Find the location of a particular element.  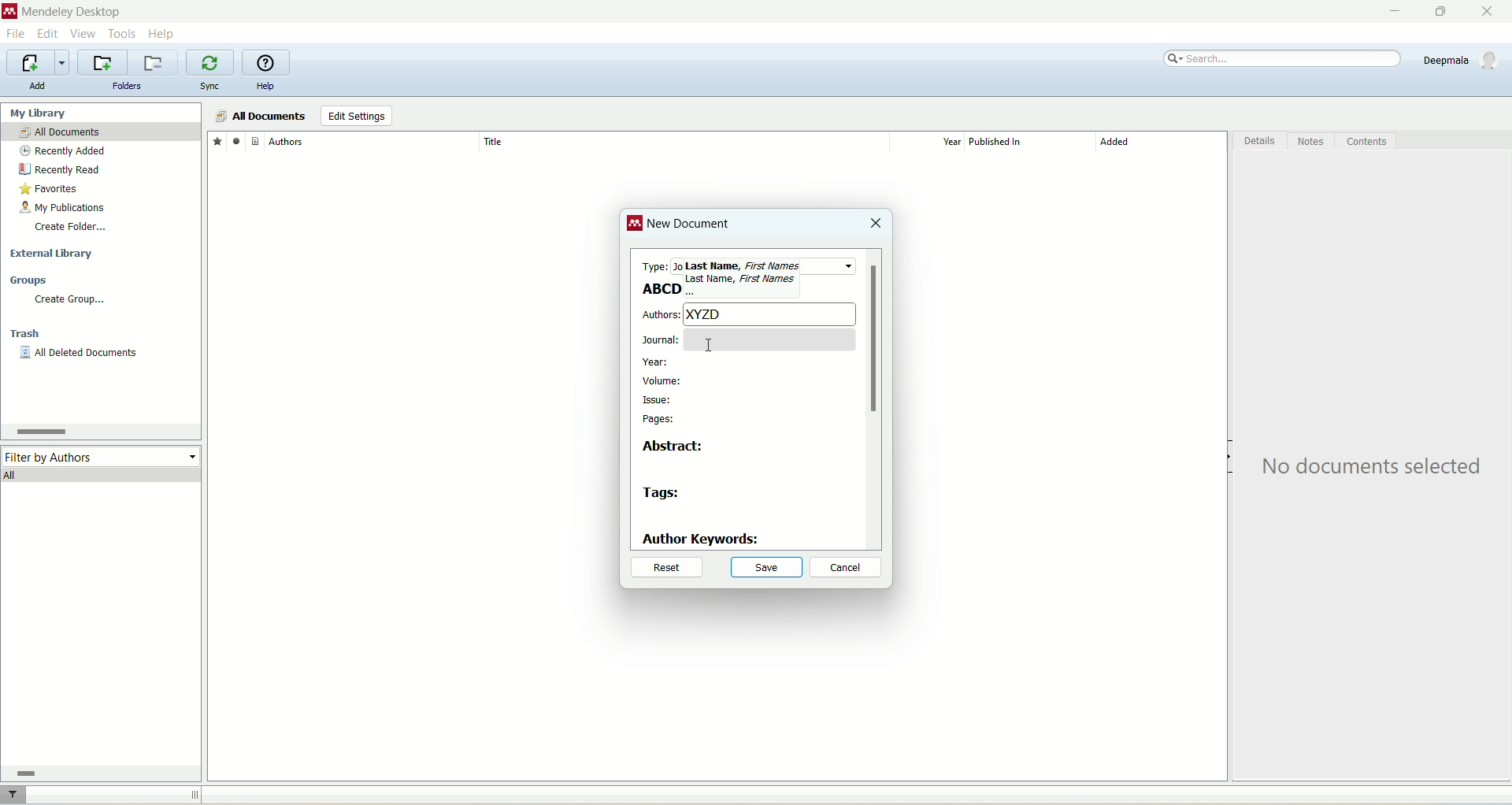

help is located at coordinates (163, 33).